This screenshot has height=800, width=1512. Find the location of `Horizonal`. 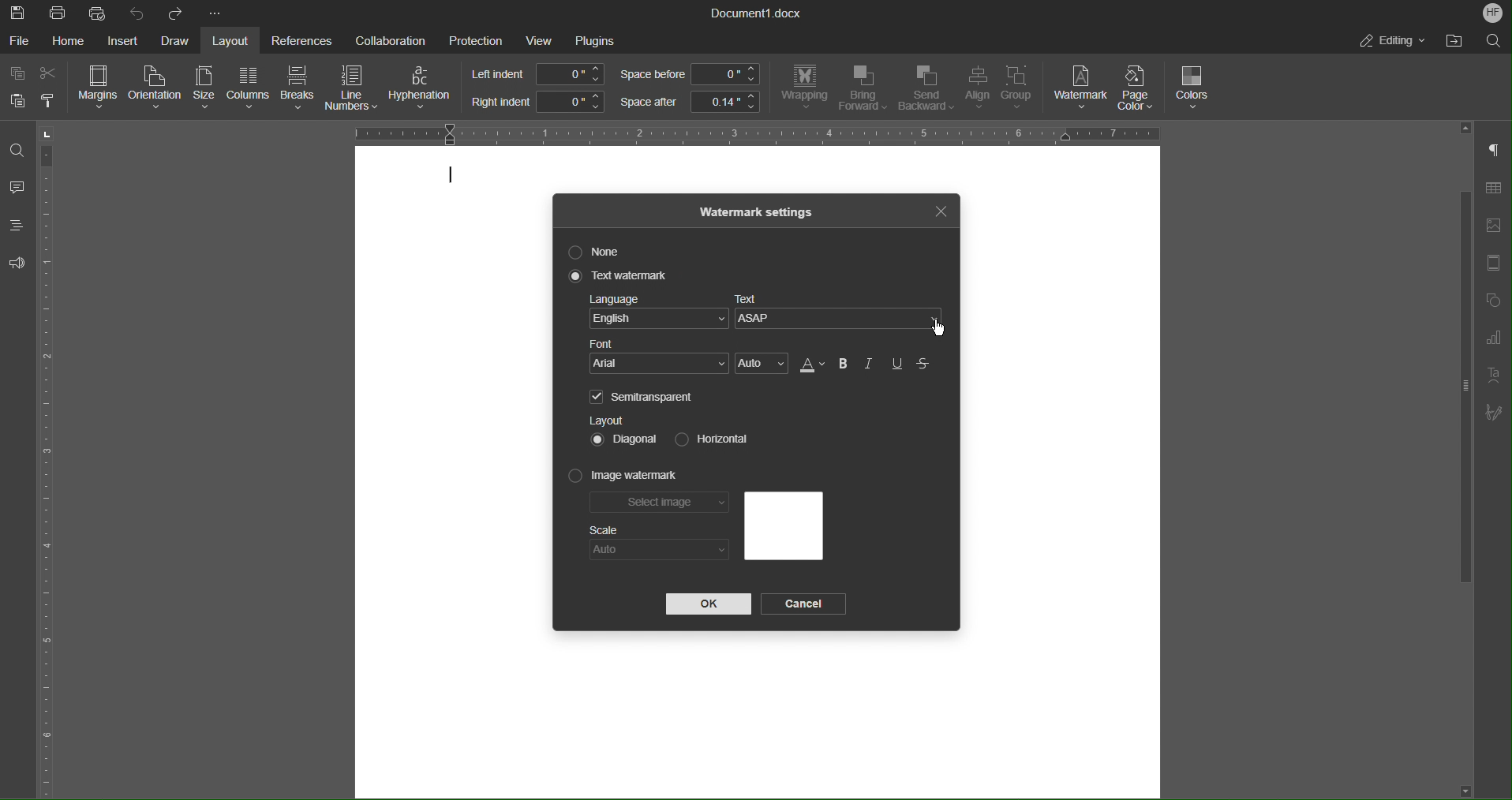

Horizonal is located at coordinates (709, 438).